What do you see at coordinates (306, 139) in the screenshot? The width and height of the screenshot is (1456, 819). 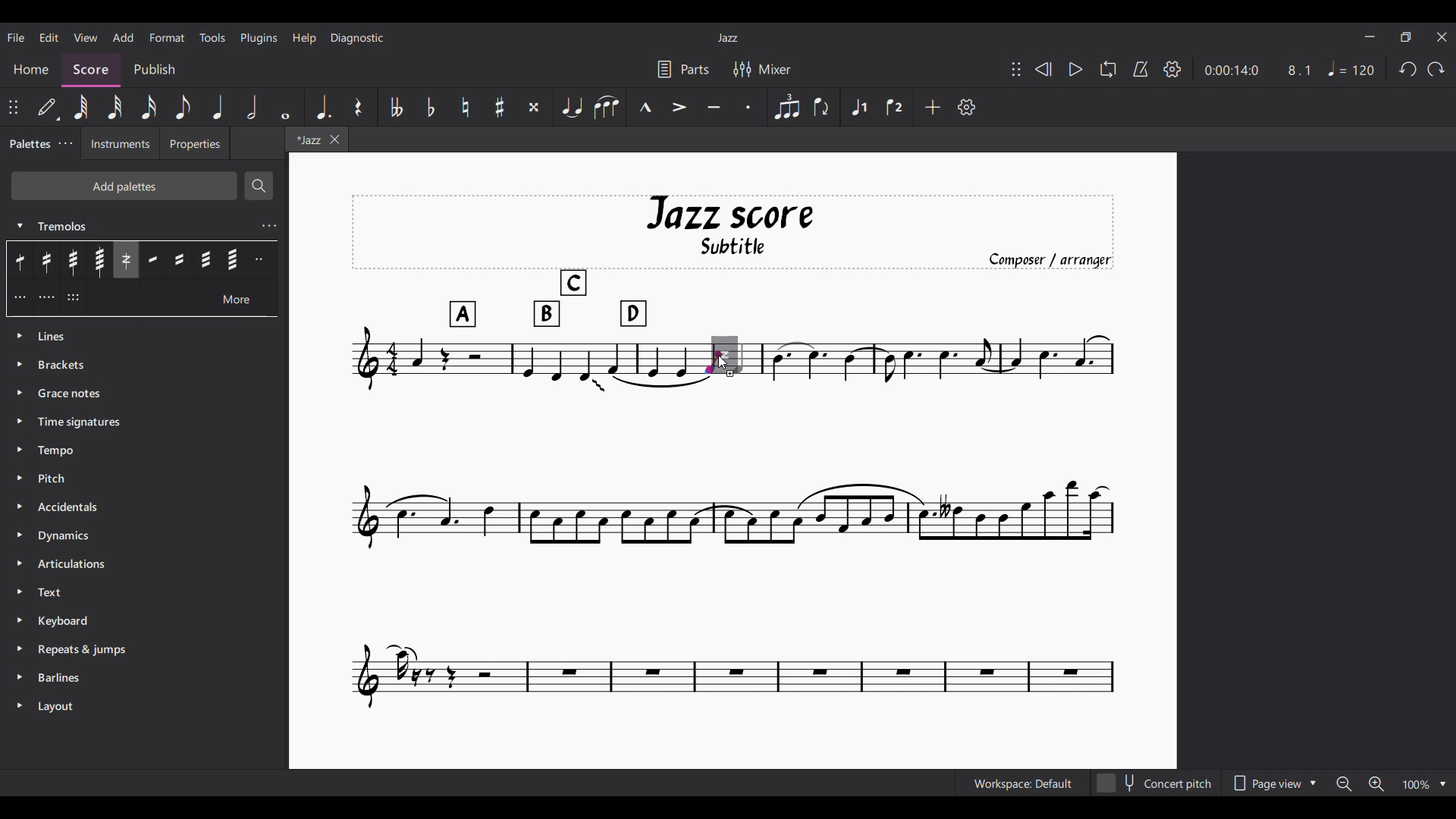 I see `*Jazz` at bounding box center [306, 139].